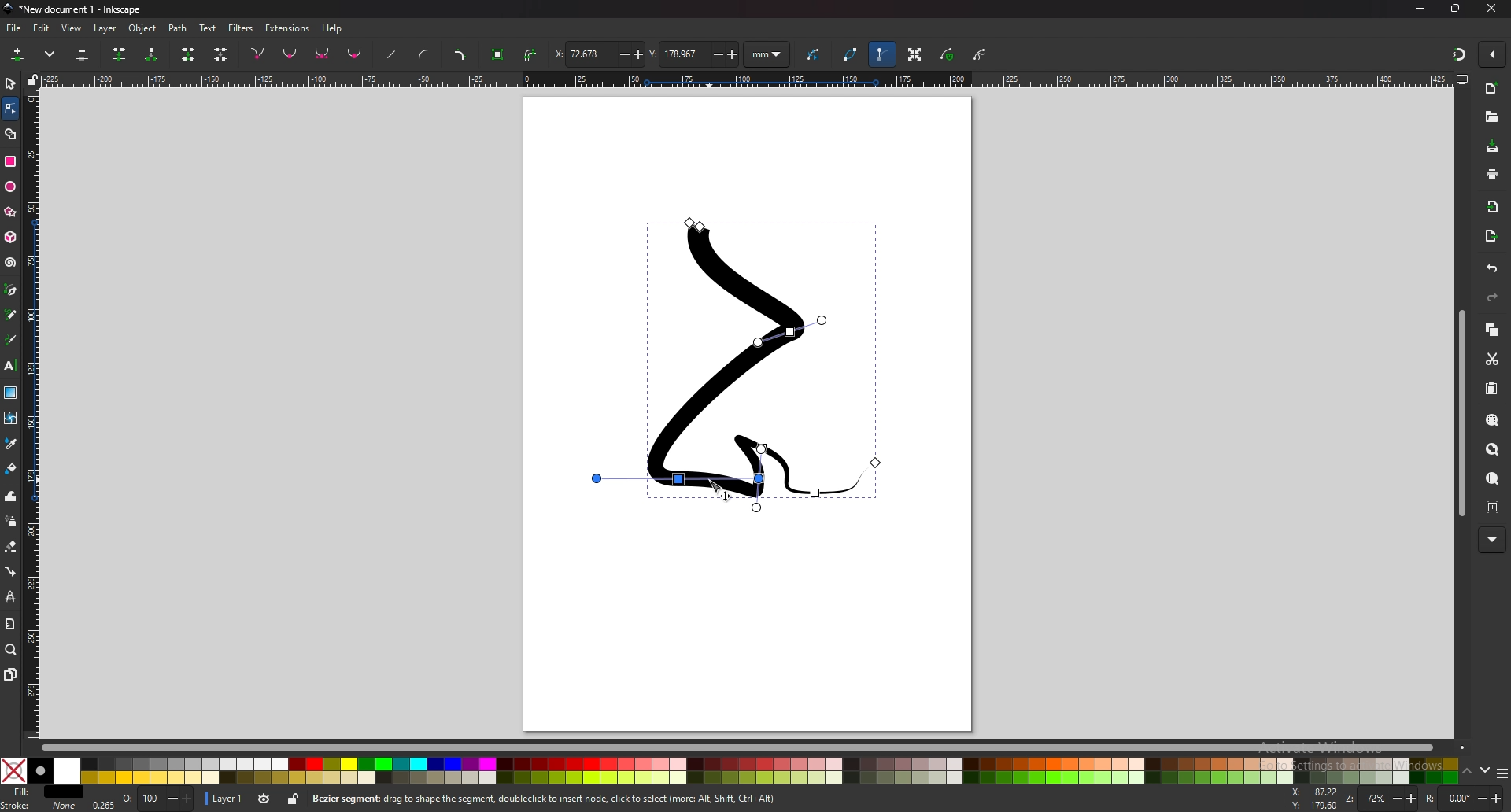 Image resolution: width=1511 pixels, height=812 pixels. Describe the element at coordinates (1459, 415) in the screenshot. I see `scroll bar` at that location.